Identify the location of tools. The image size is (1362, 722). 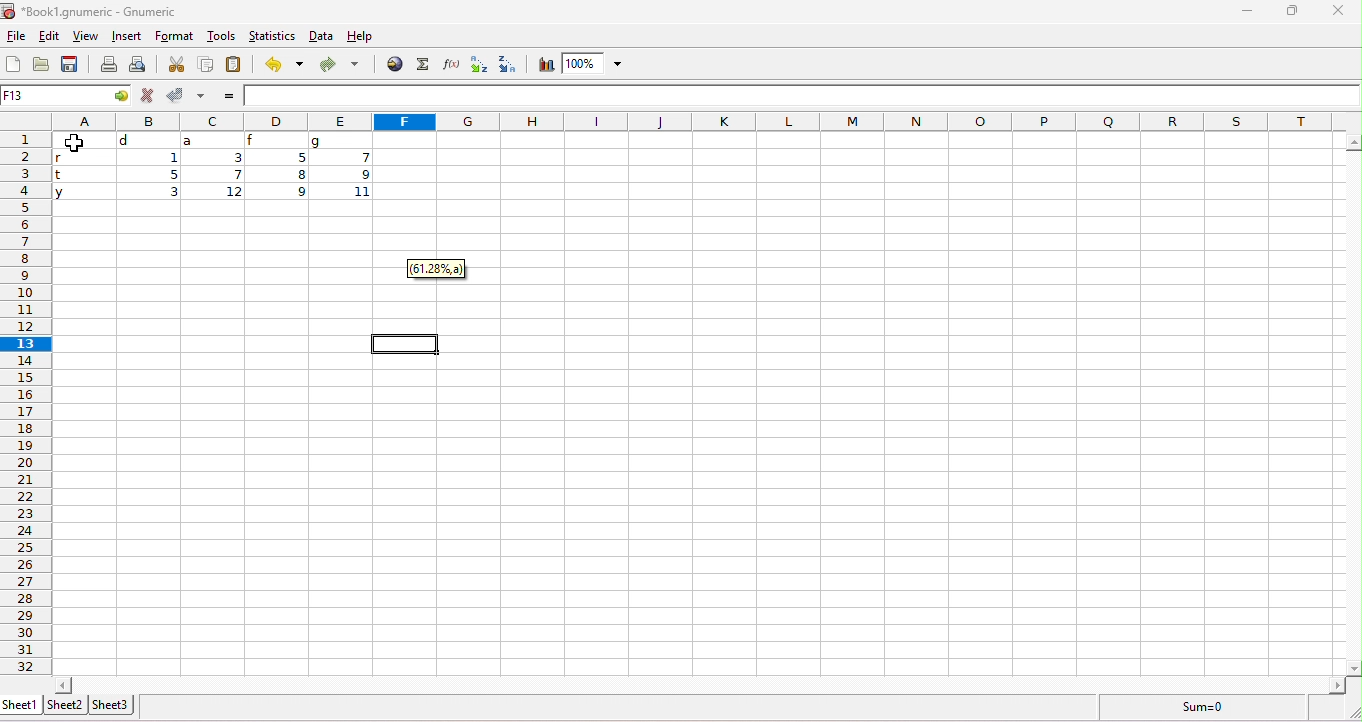
(221, 35).